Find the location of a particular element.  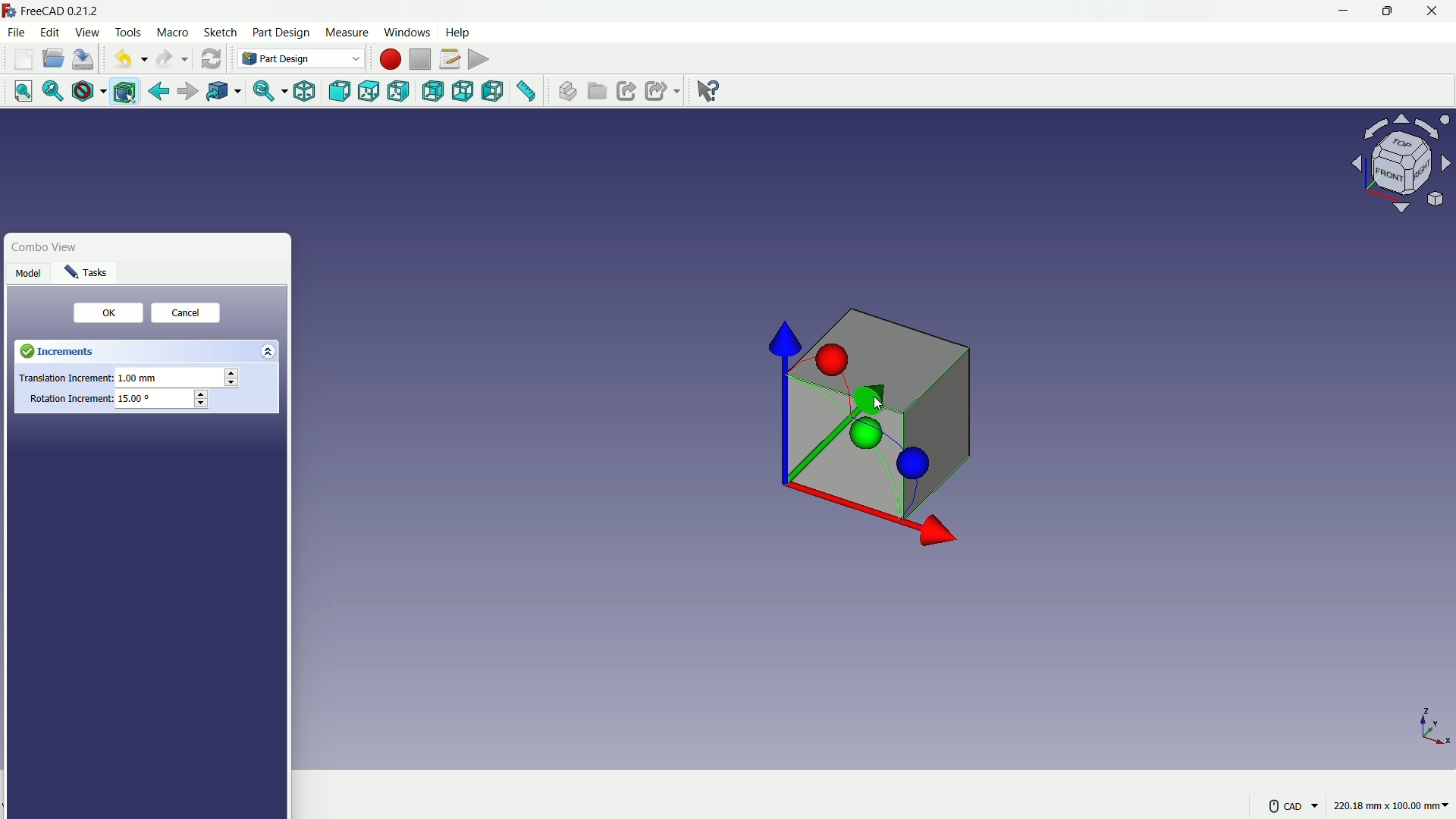

Increments is located at coordinates (56, 351).